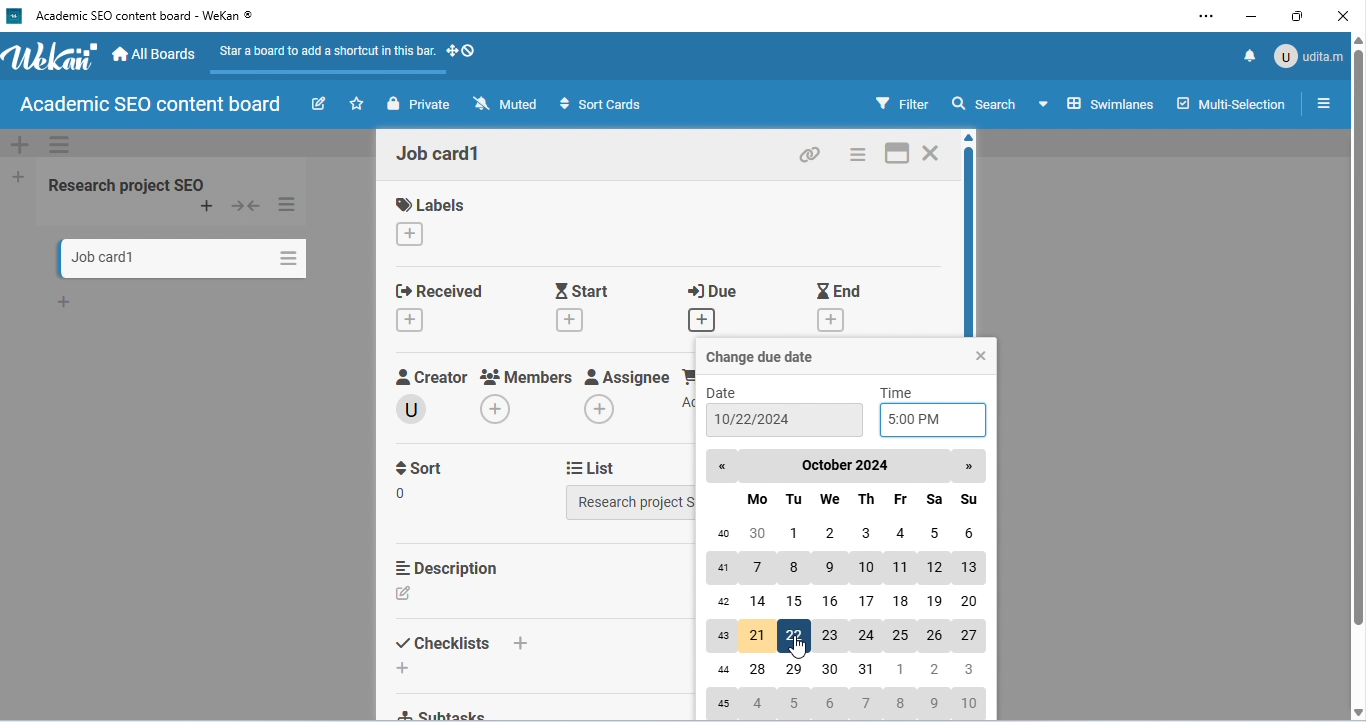 This screenshot has width=1366, height=722. Describe the element at coordinates (412, 494) in the screenshot. I see `edit sort` at that location.